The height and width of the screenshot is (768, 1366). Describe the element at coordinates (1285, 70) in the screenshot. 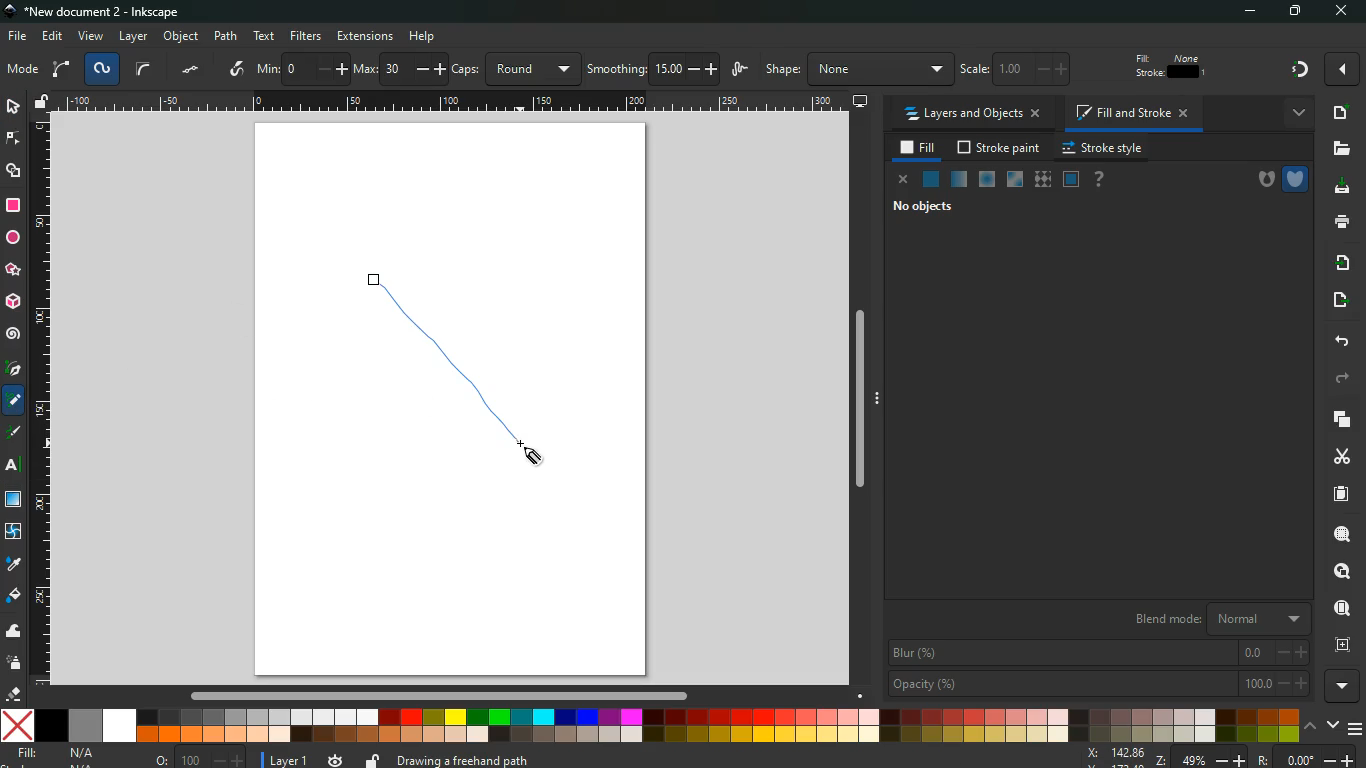

I see `` at that location.